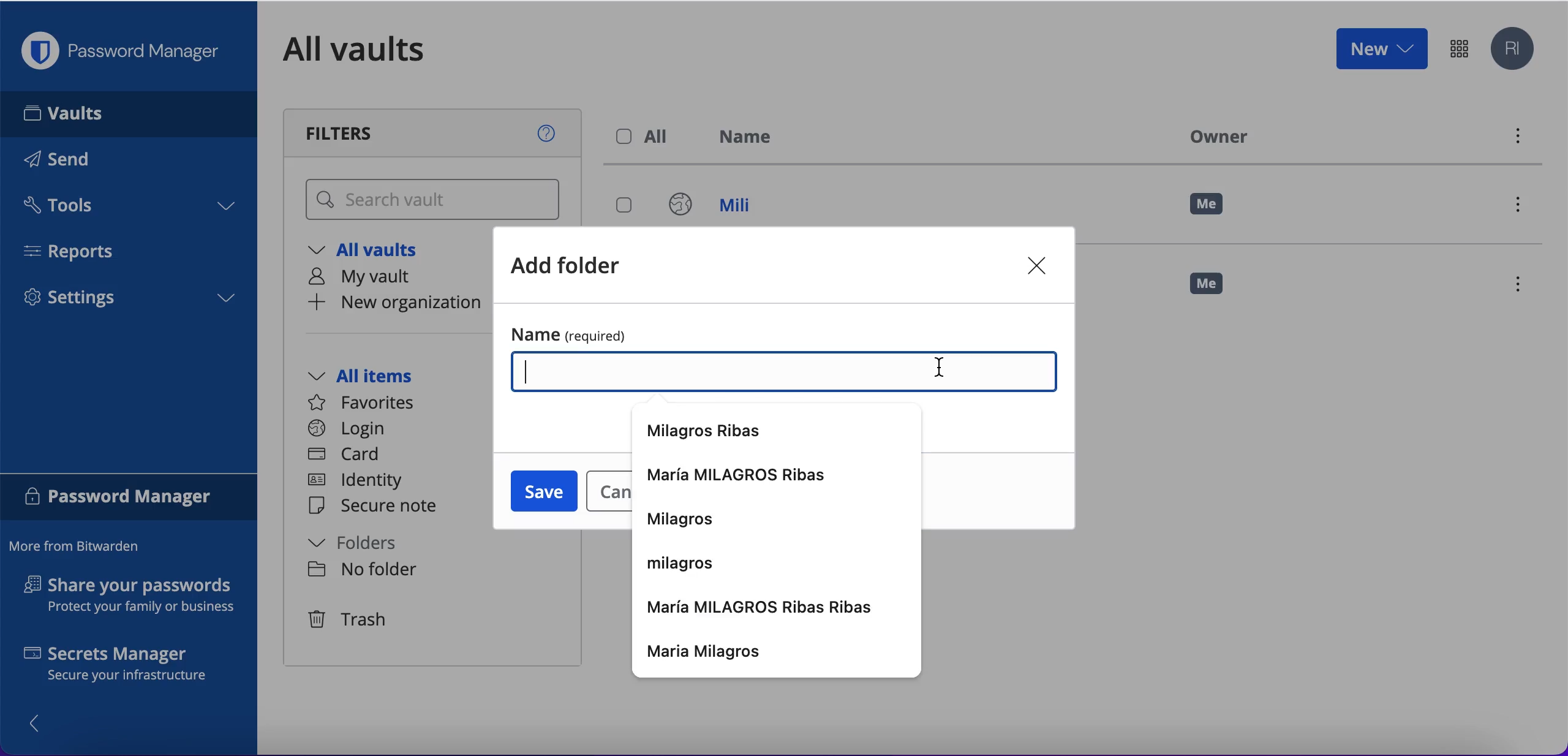 This screenshot has width=1568, height=756. What do you see at coordinates (541, 491) in the screenshot?
I see `save` at bounding box center [541, 491].